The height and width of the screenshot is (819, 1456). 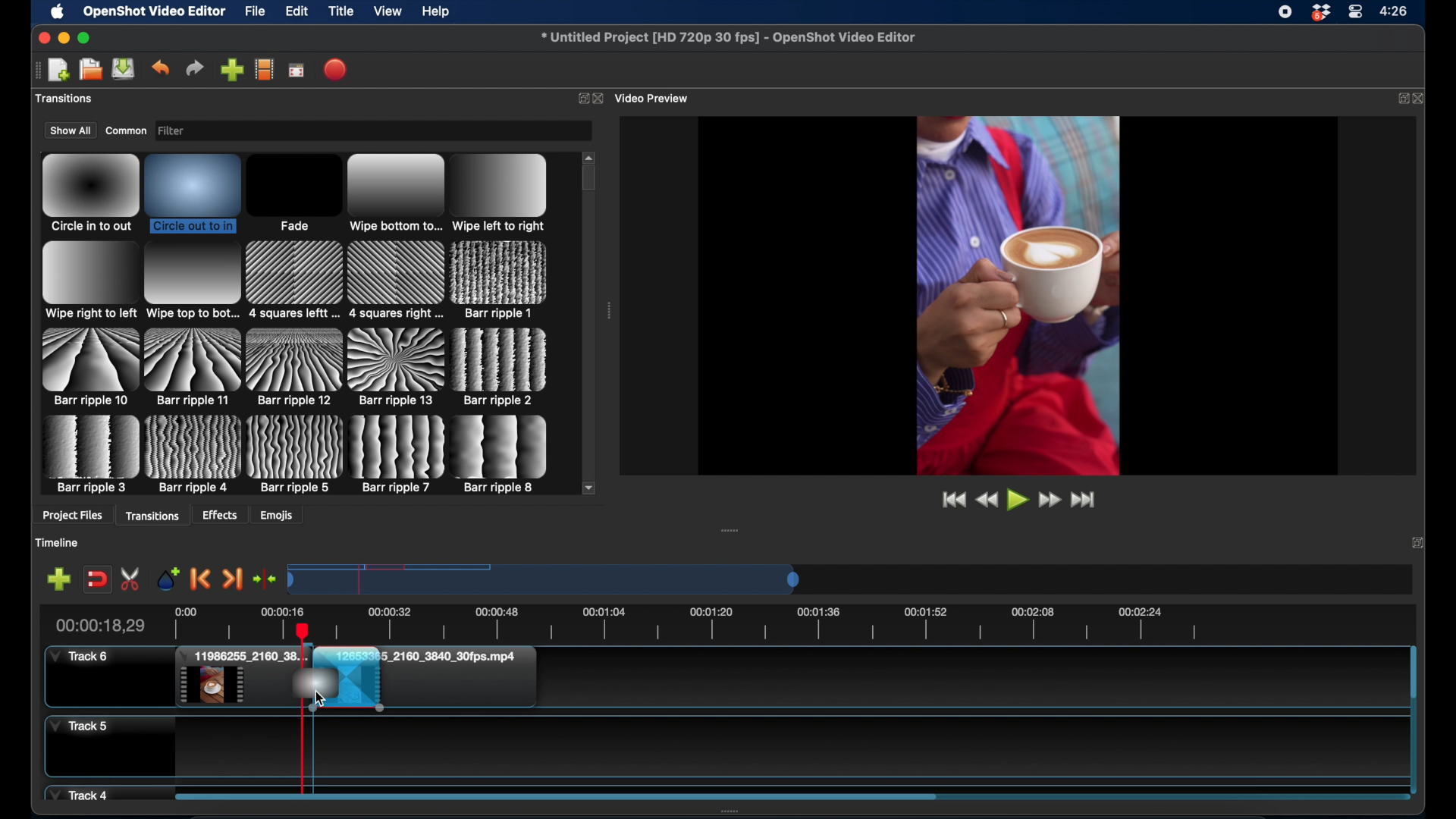 What do you see at coordinates (1086, 500) in the screenshot?
I see `jump to end` at bounding box center [1086, 500].